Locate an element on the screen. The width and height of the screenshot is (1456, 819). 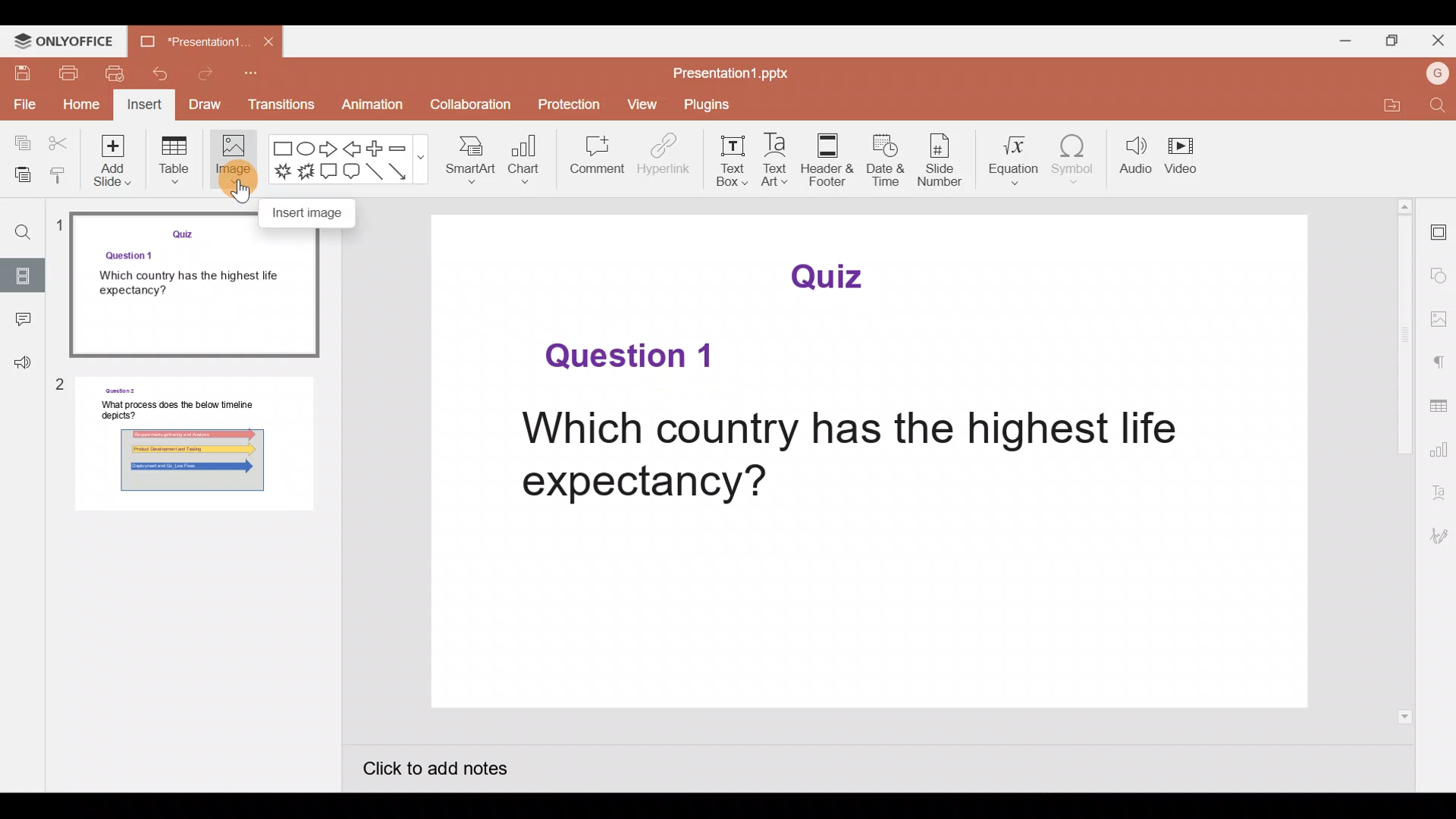
Slide 2 preview is located at coordinates (191, 451).